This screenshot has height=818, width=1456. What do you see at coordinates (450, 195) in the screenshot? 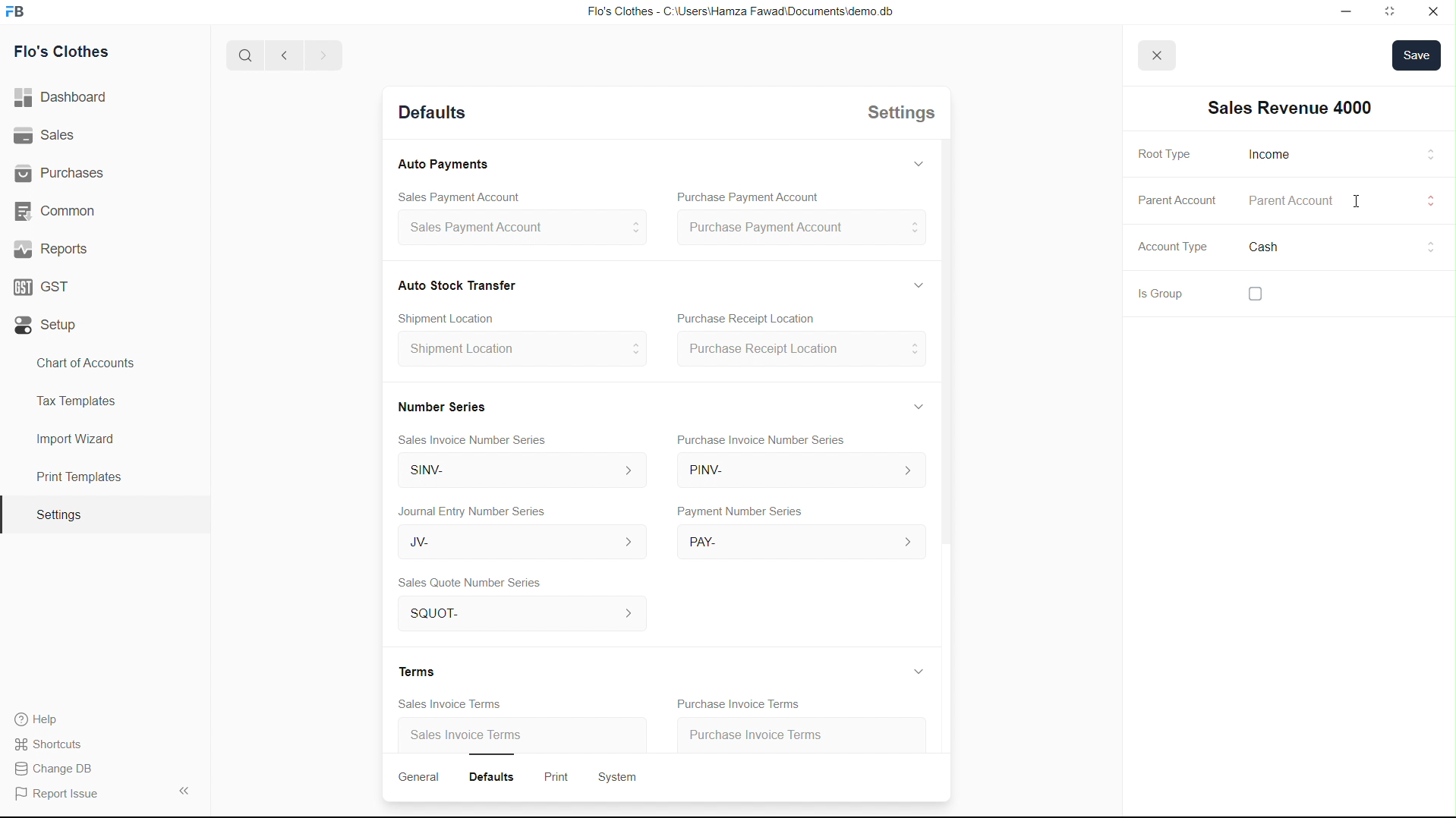
I see `Sales Payment Account` at bounding box center [450, 195].